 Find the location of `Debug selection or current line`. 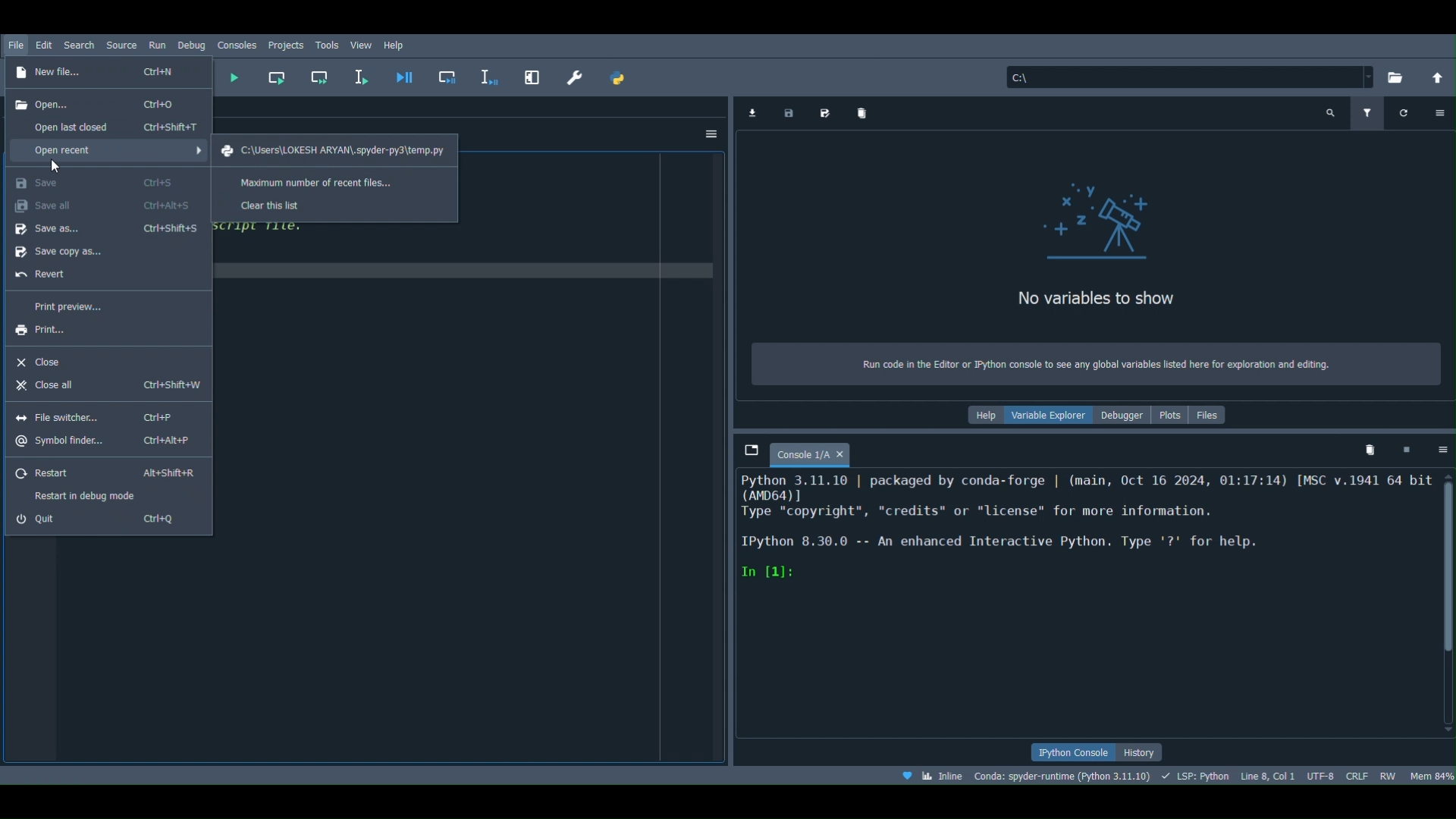

Debug selection or current line is located at coordinates (486, 75).